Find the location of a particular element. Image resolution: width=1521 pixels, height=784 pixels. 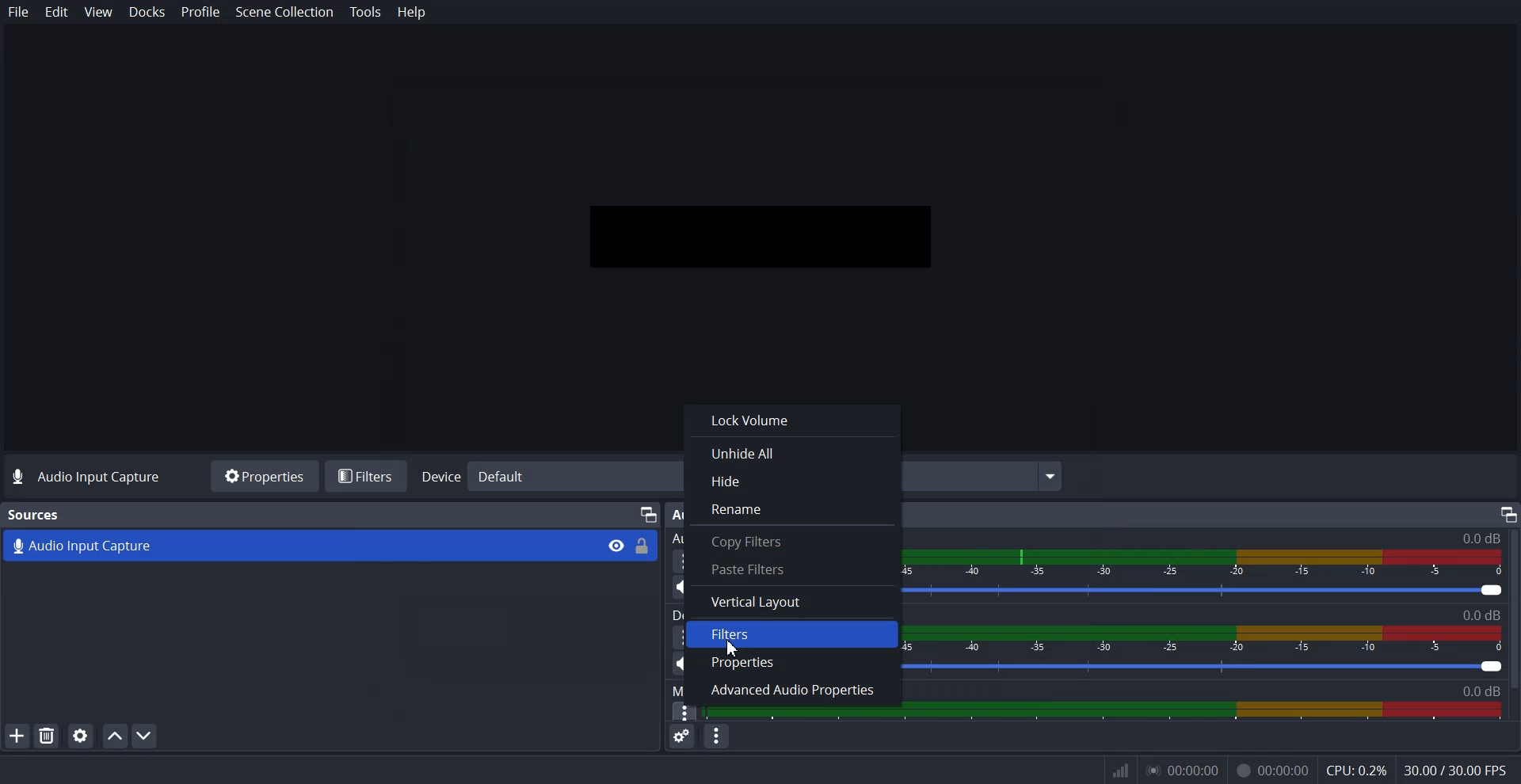

Volume Indicator is located at coordinates (1214, 646).